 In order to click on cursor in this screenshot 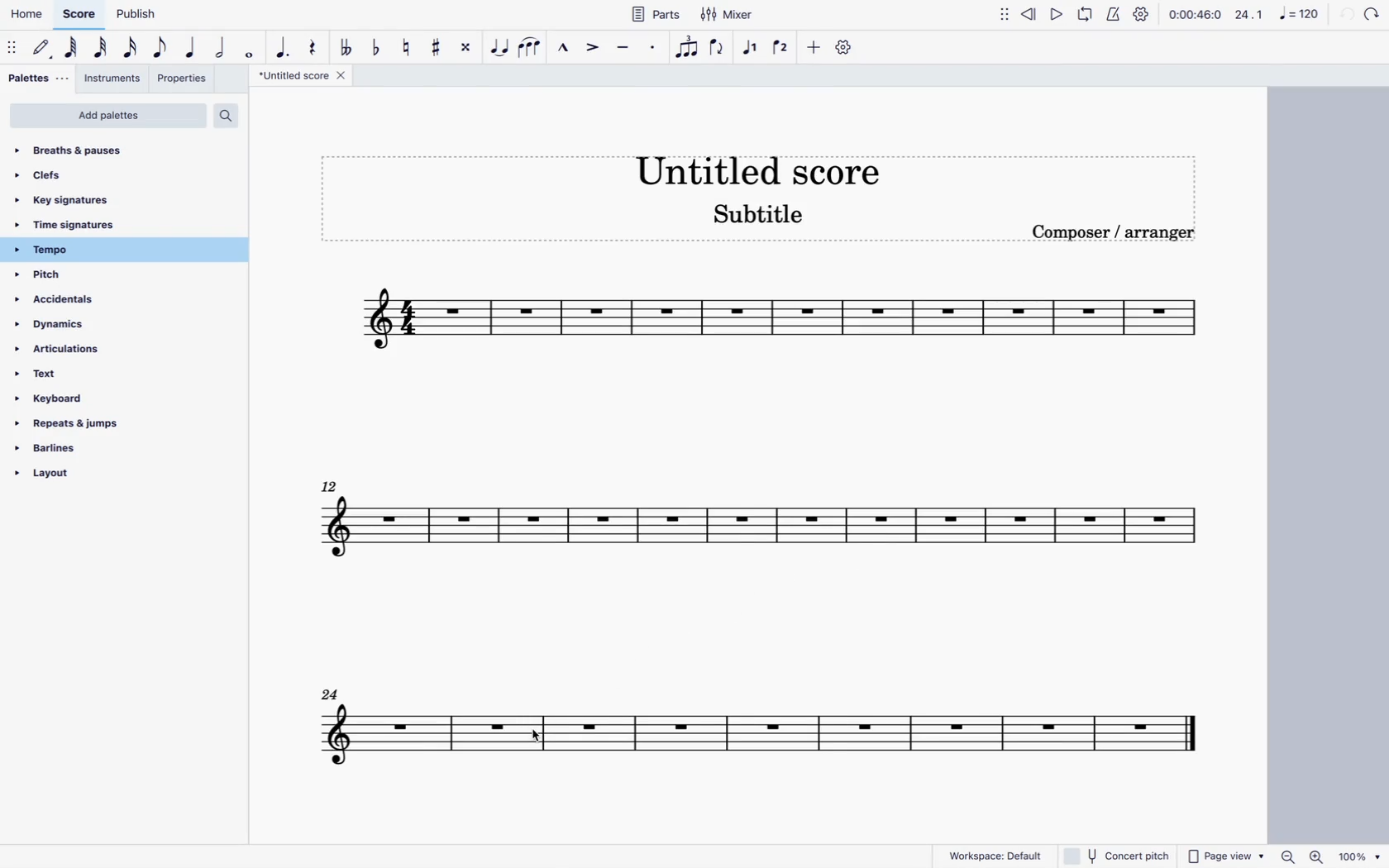, I will do `click(535, 736)`.